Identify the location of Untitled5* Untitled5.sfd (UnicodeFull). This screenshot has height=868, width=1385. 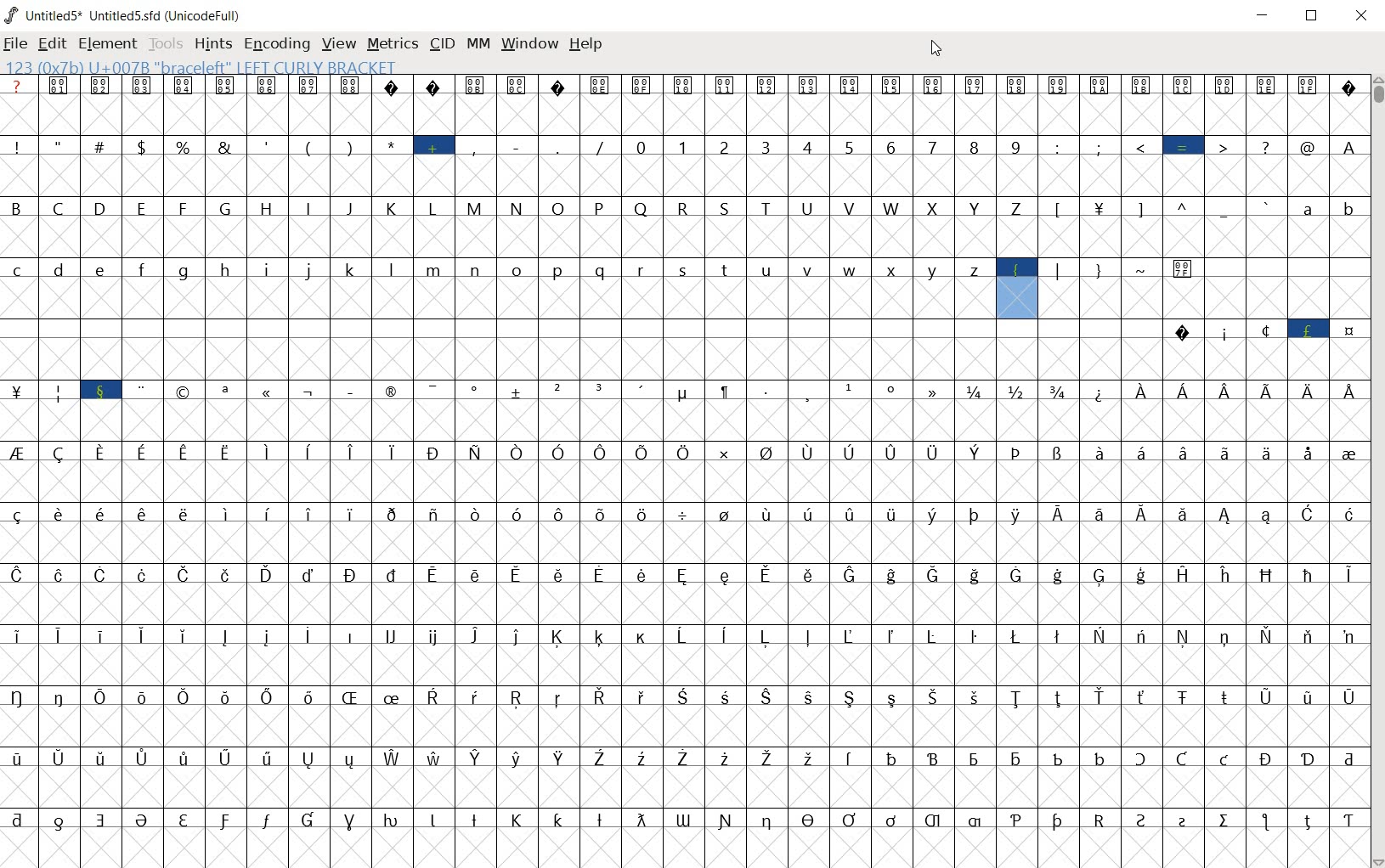
(125, 14).